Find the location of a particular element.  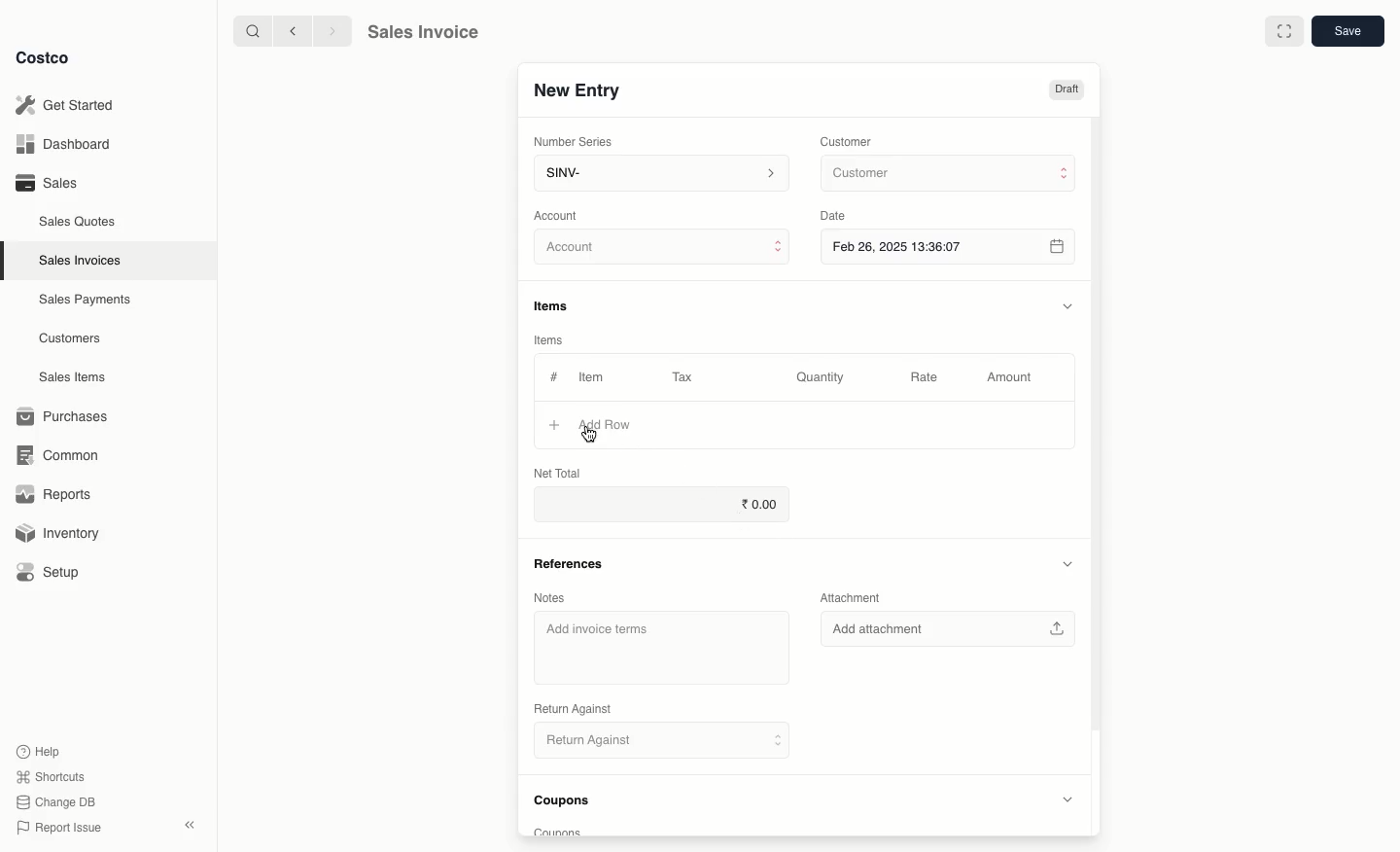

Collapse is located at coordinates (192, 826).